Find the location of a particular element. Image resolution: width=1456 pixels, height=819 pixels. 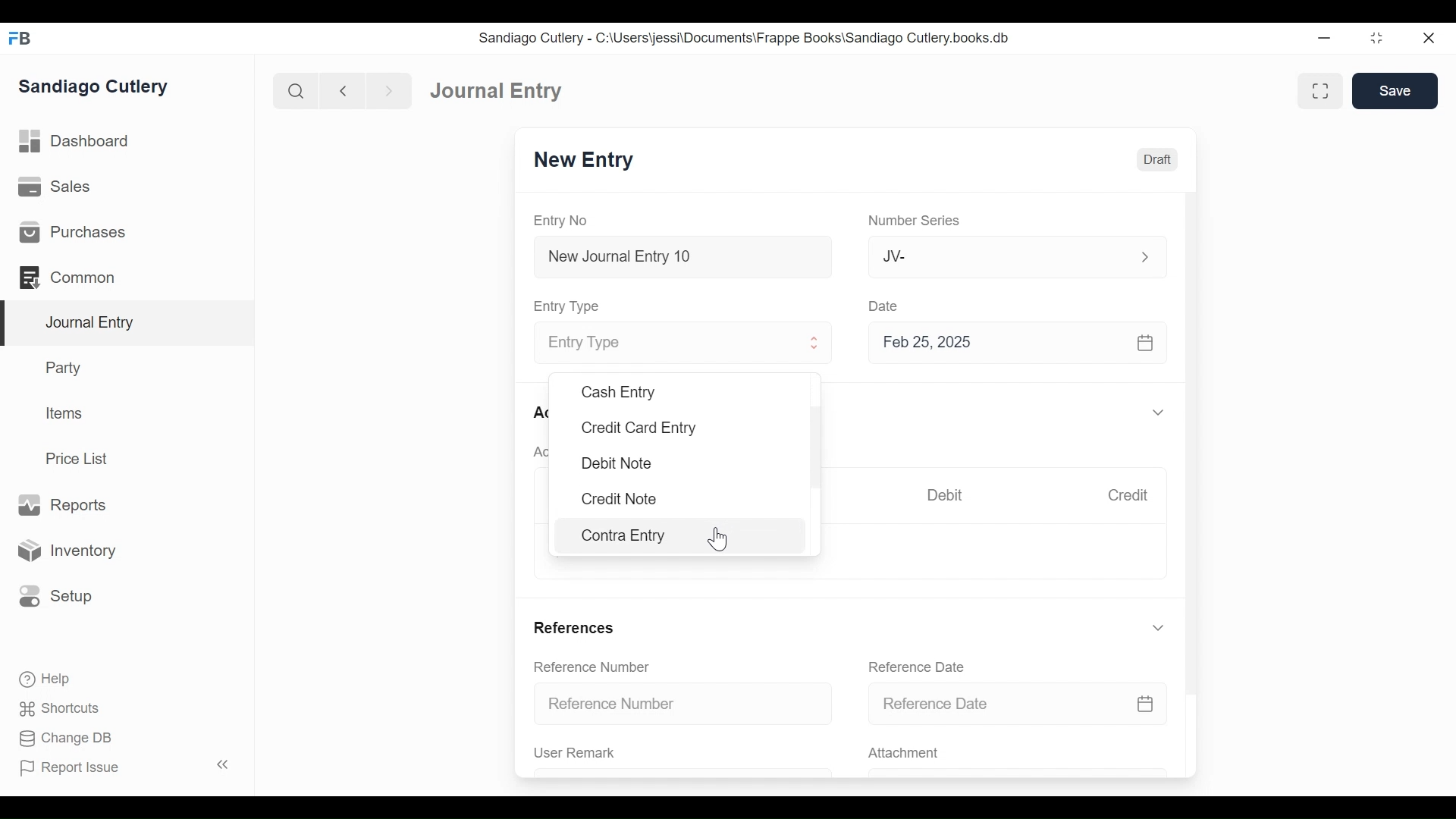

Help is located at coordinates (42, 677).